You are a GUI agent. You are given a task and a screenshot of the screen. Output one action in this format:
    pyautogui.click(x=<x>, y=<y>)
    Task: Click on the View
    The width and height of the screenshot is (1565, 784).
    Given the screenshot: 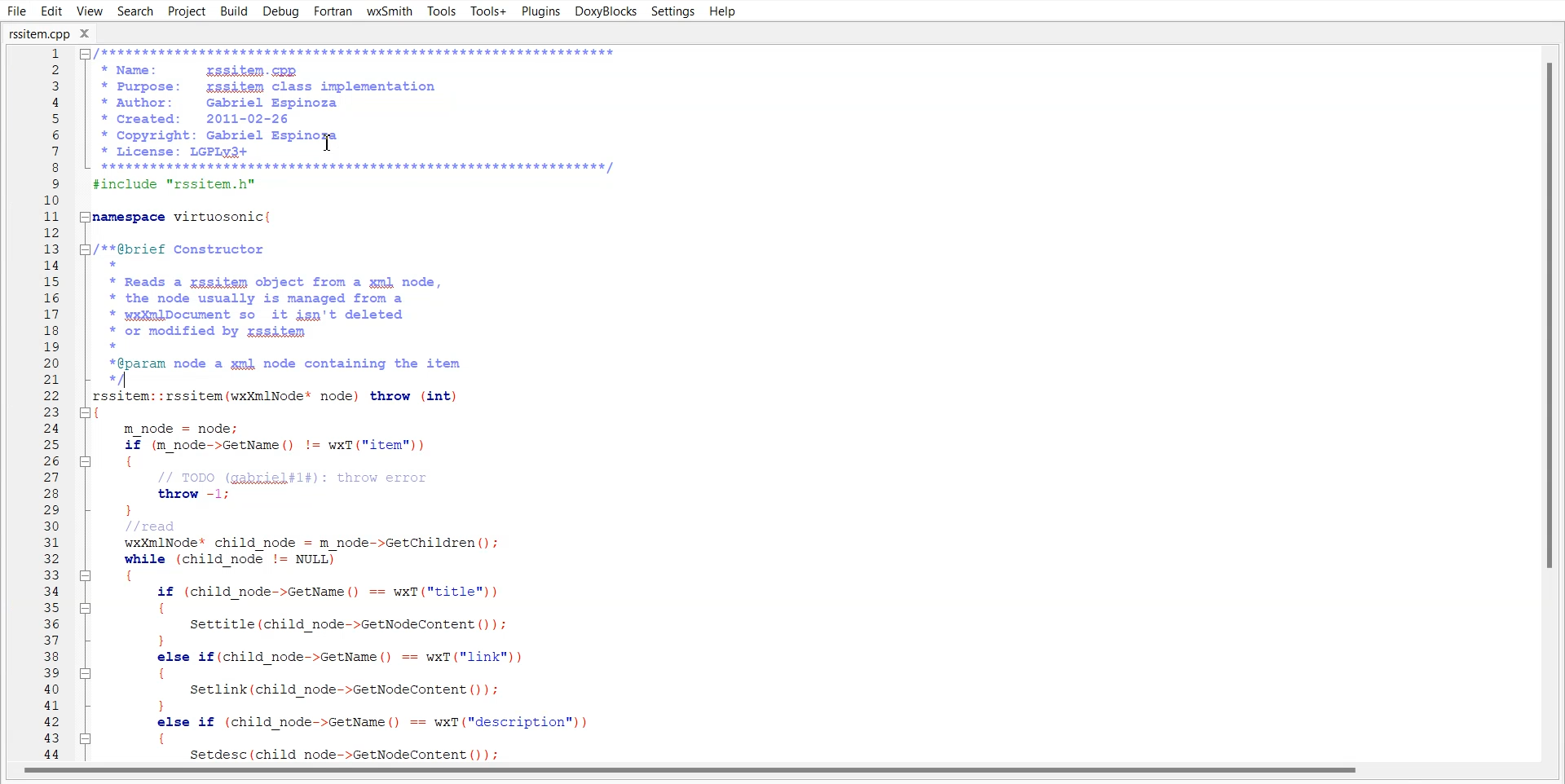 What is the action you would take?
    pyautogui.click(x=90, y=11)
    